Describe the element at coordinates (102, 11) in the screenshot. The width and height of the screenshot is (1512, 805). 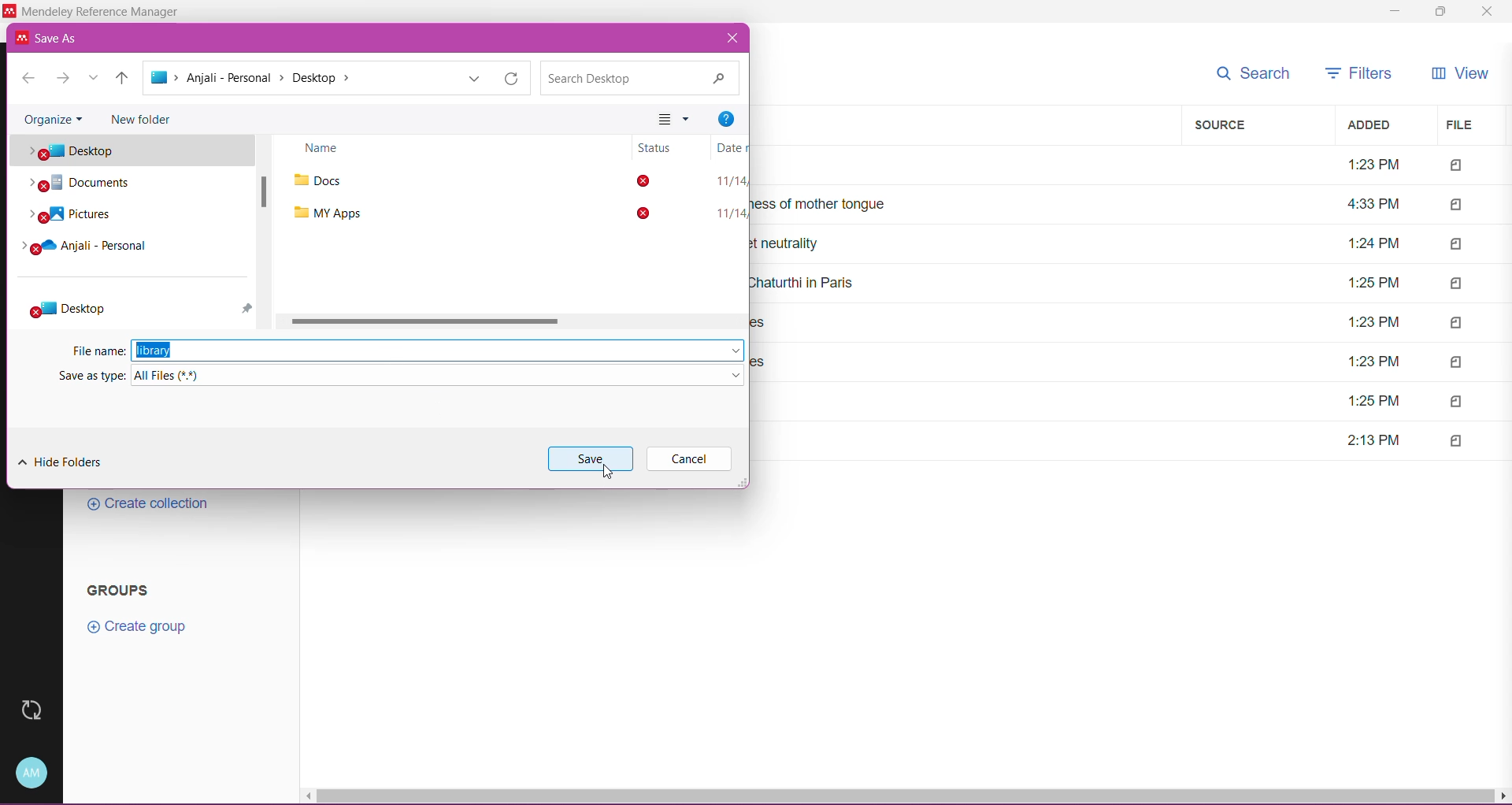
I see `Mendeley Reference Manager` at that location.